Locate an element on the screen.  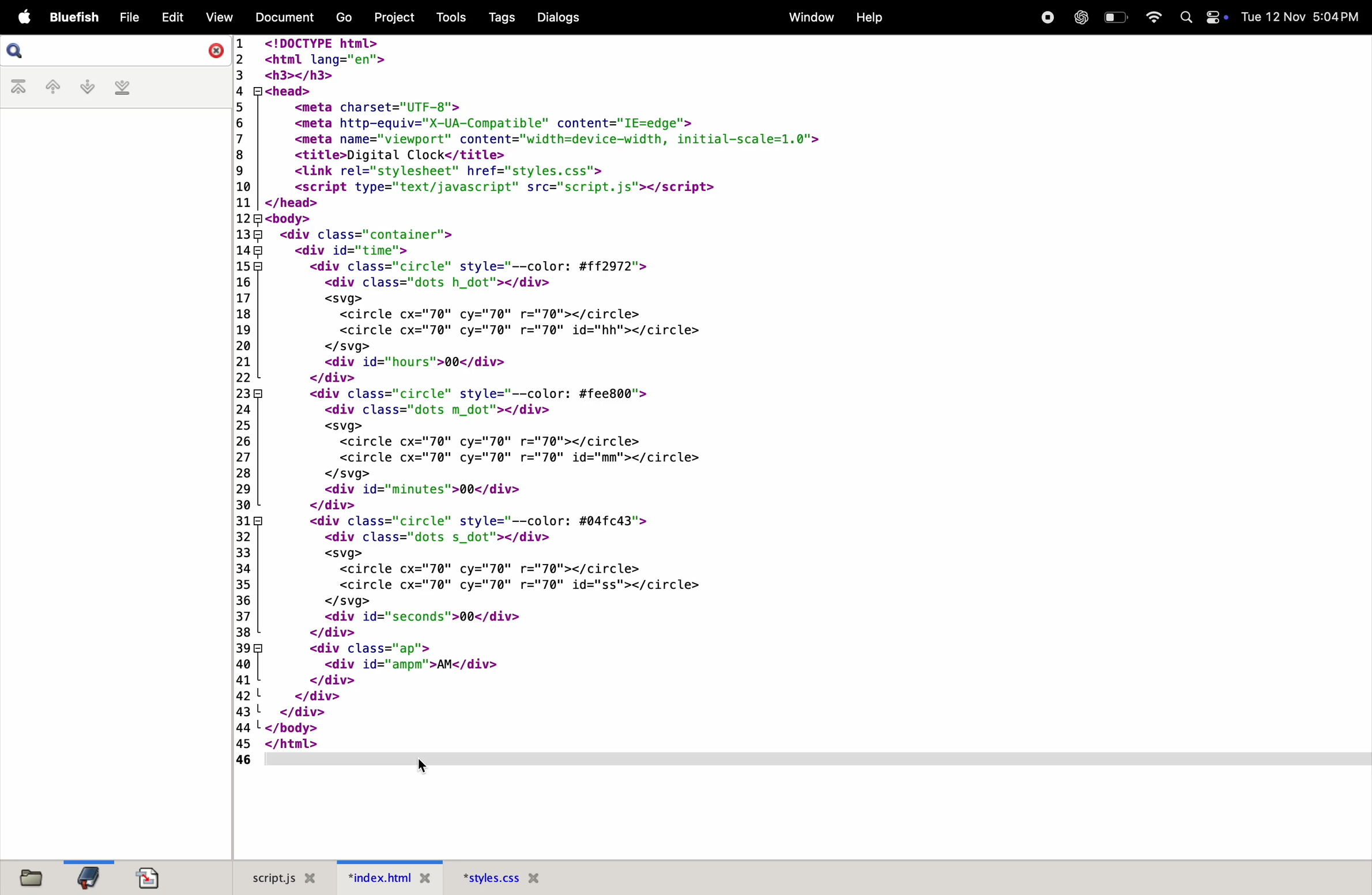
file is located at coordinates (35, 877).